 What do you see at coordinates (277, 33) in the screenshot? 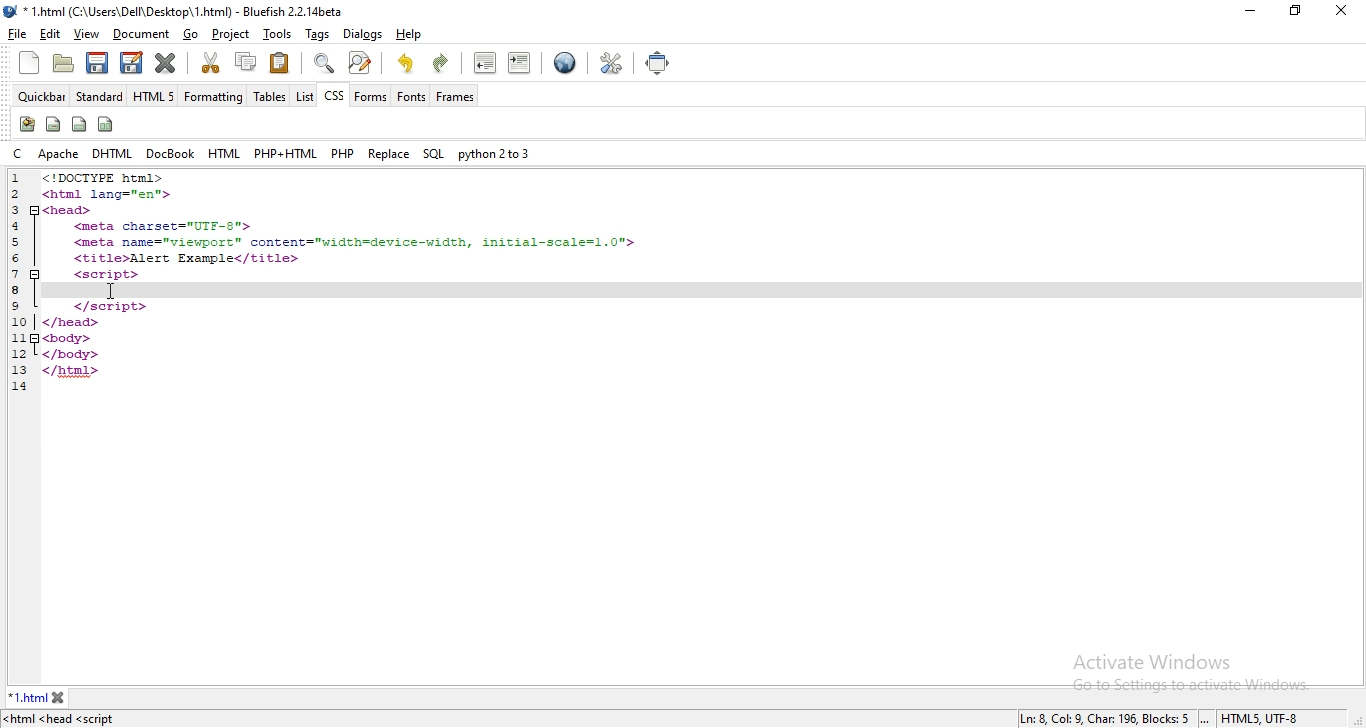
I see `tools` at bounding box center [277, 33].